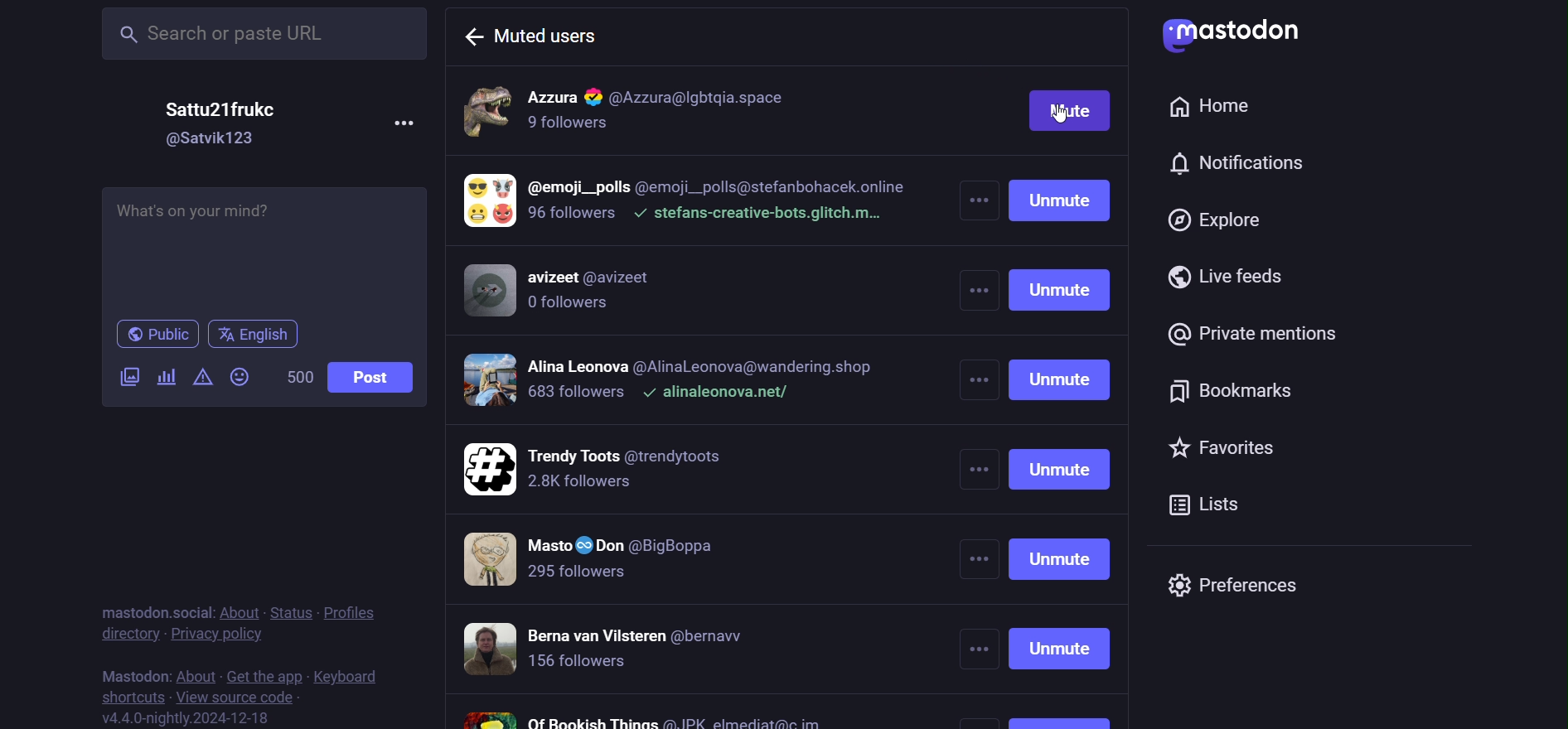 This screenshot has width=1568, height=729. I want to click on get the app, so click(263, 675).